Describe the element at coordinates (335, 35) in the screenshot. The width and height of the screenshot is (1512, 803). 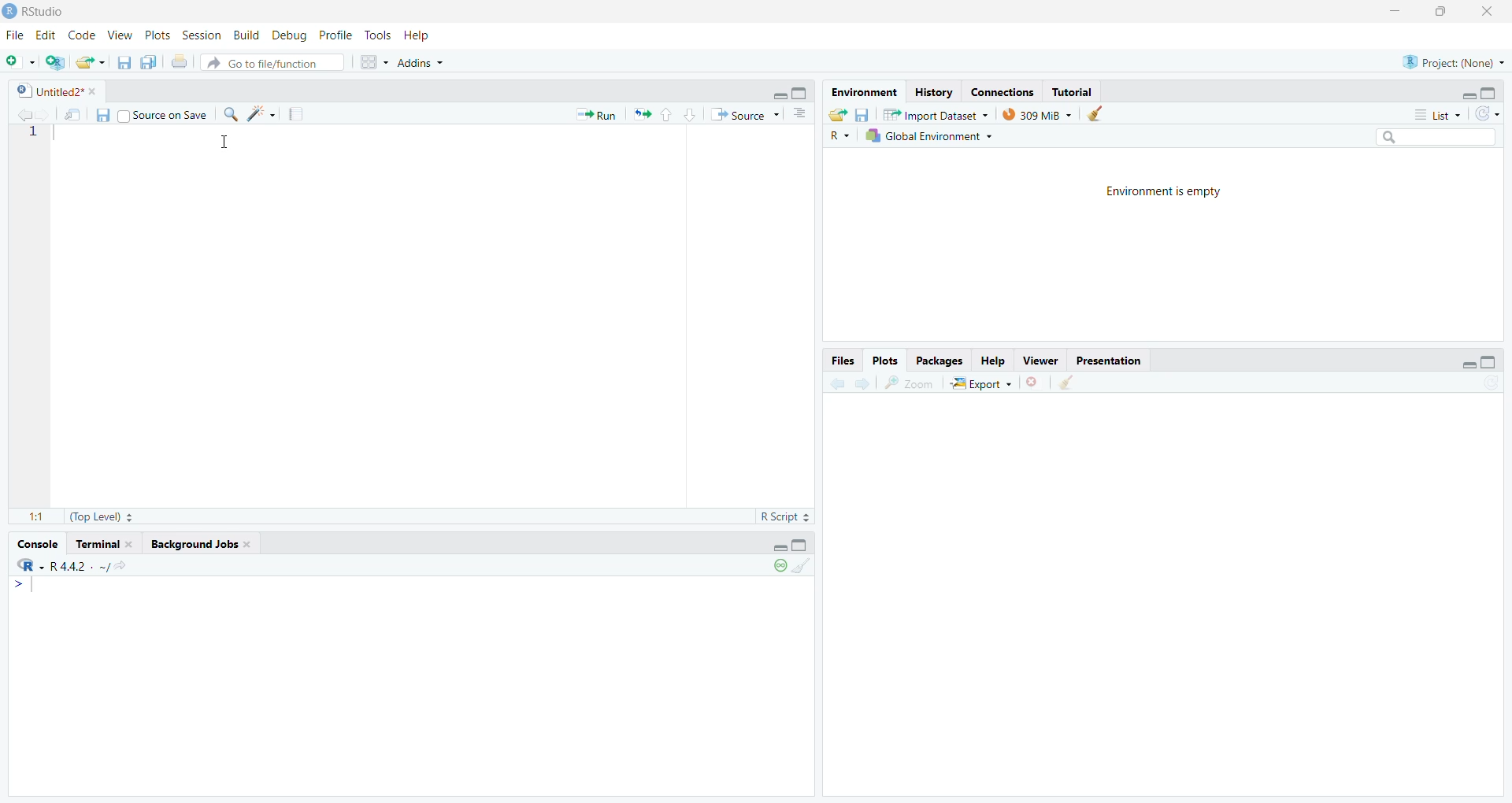
I see `Profile` at that location.